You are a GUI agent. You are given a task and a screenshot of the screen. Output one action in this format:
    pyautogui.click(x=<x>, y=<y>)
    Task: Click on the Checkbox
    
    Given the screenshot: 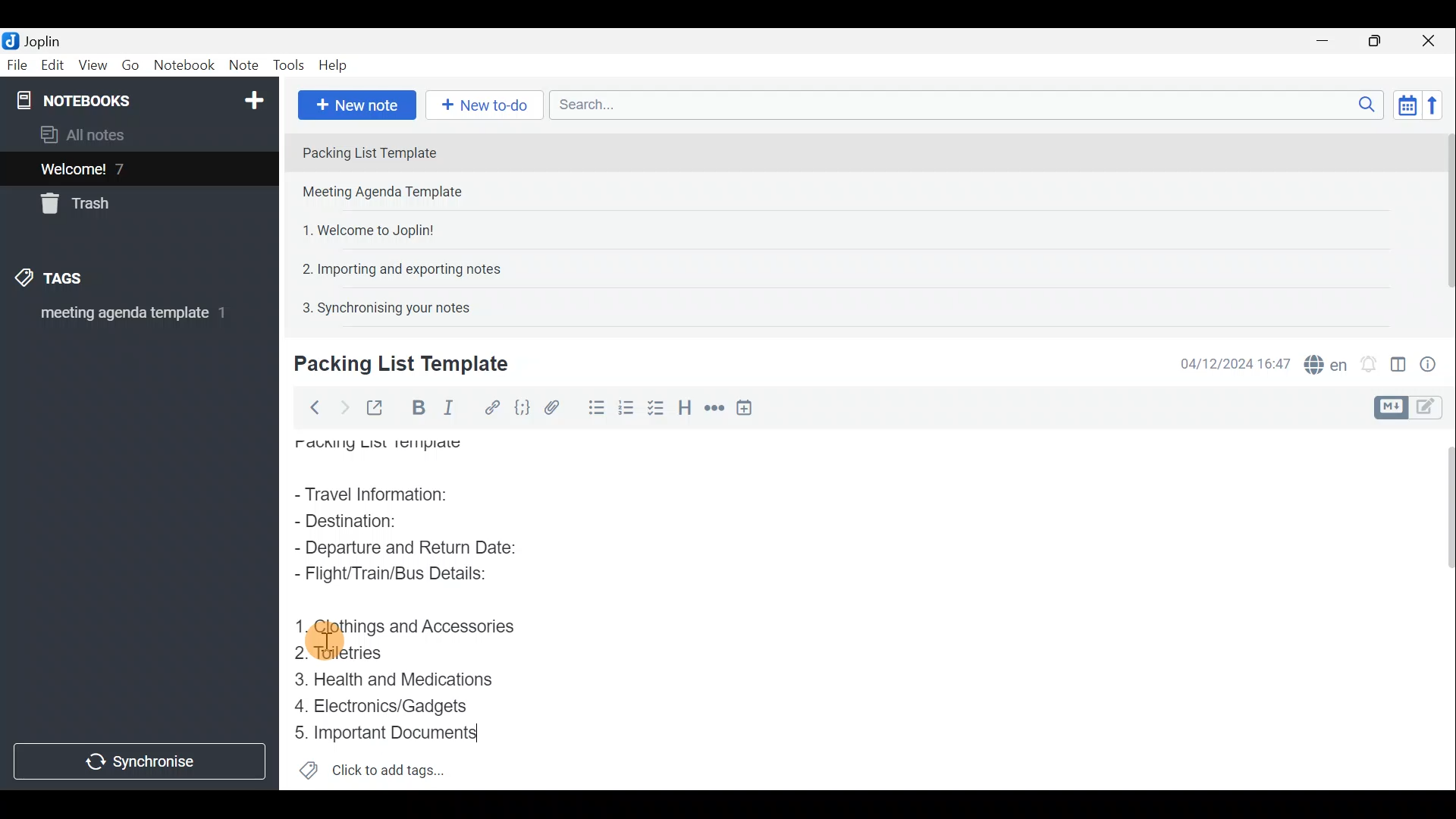 What is the action you would take?
    pyautogui.click(x=626, y=405)
    